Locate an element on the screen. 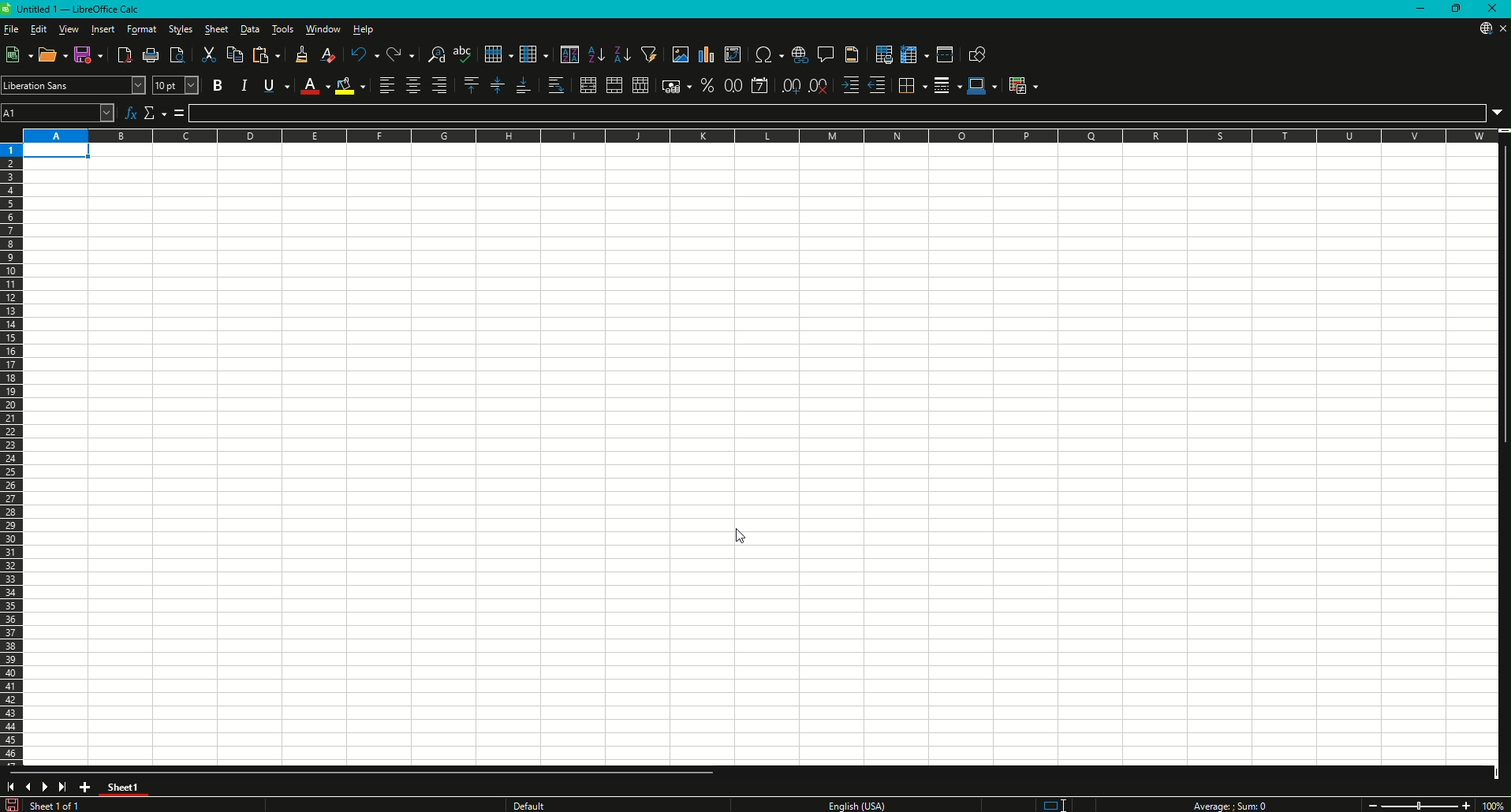 The image size is (1511, 812). New is located at coordinates (18, 54).